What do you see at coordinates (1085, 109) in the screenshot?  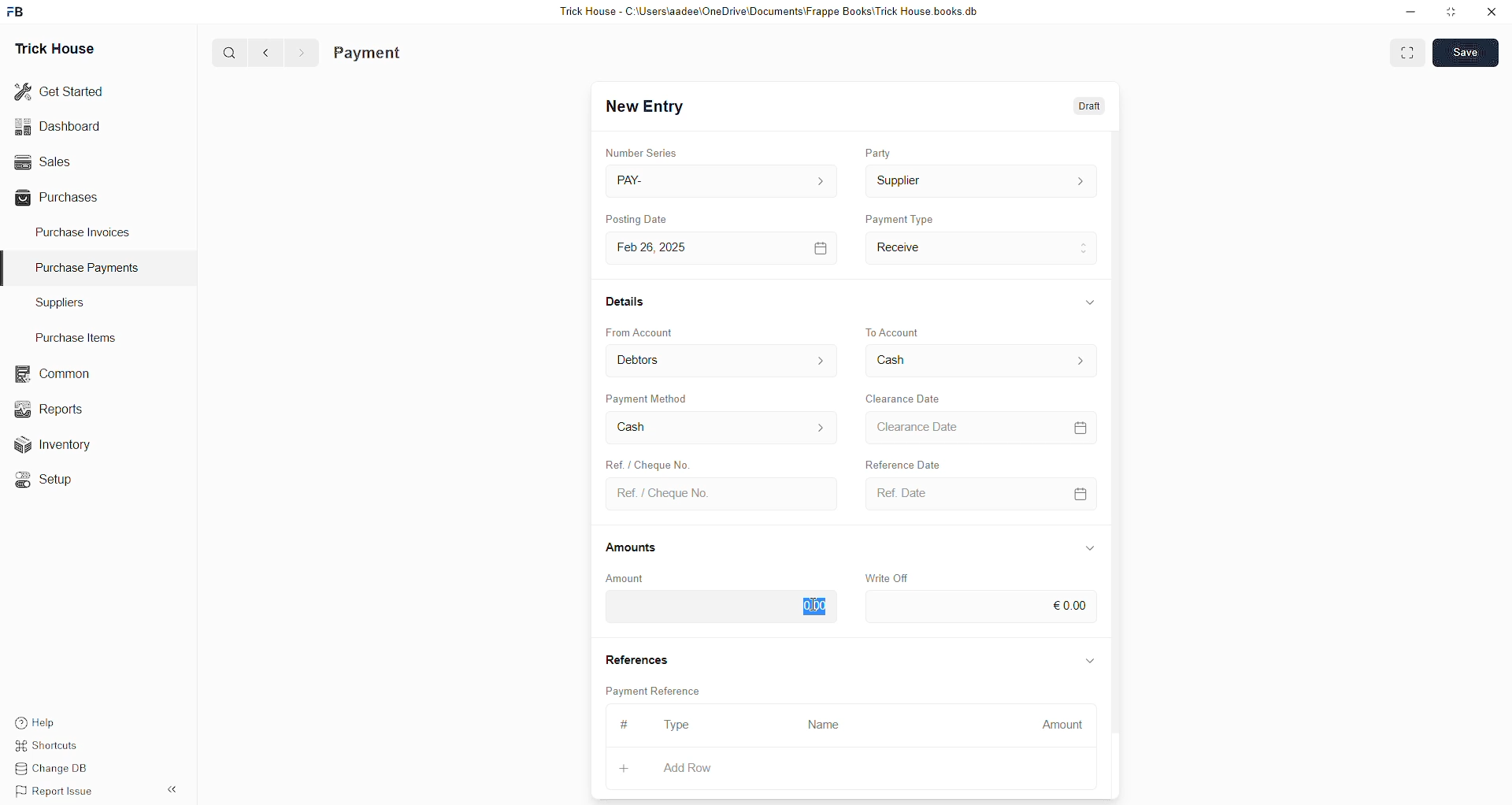 I see `Draft` at bounding box center [1085, 109].